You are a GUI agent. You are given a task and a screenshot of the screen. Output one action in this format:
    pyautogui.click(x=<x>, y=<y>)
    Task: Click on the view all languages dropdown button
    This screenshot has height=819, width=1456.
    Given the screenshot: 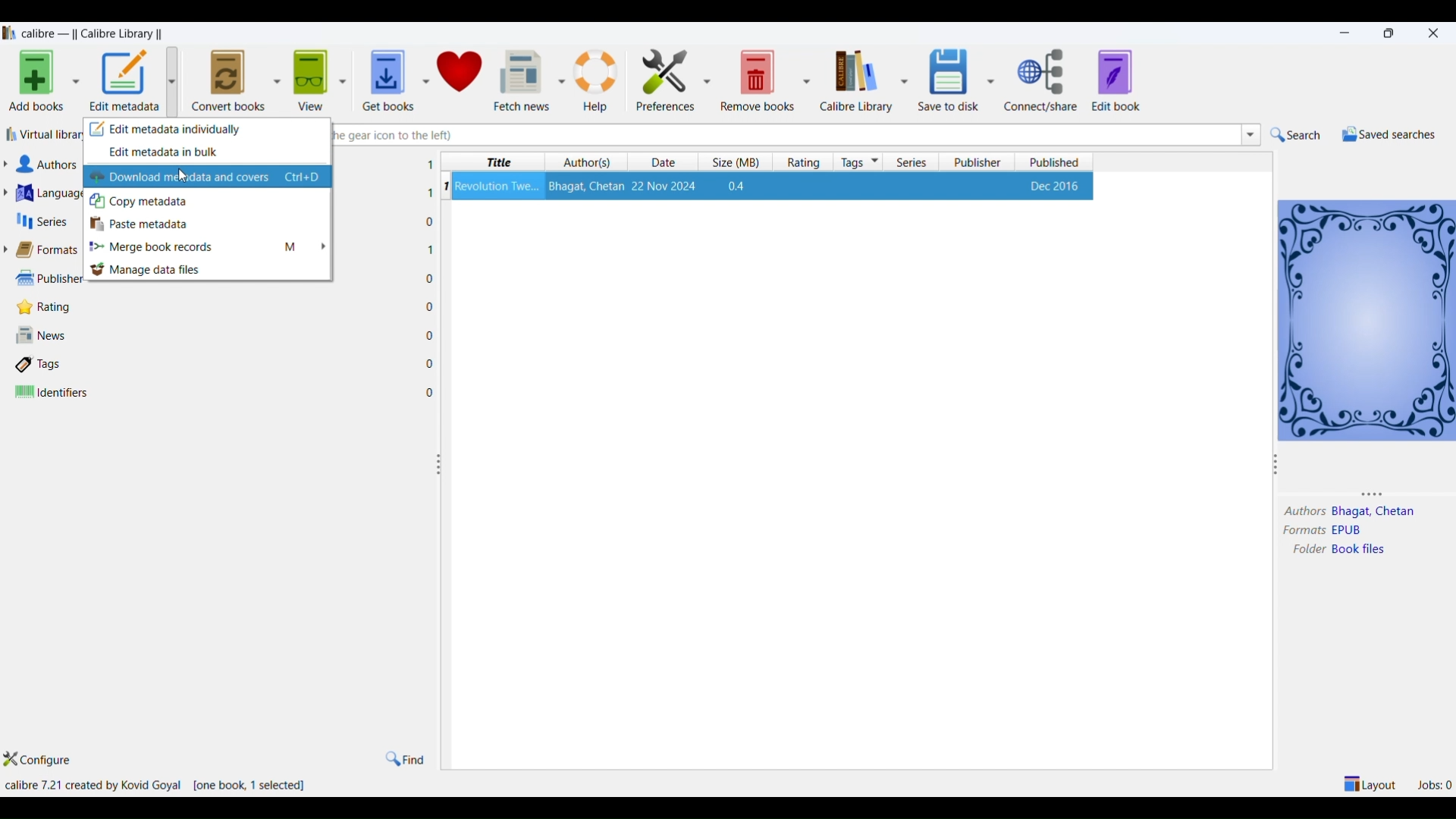 What is the action you would take?
    pyautogui.click(x=10, y=193)
    